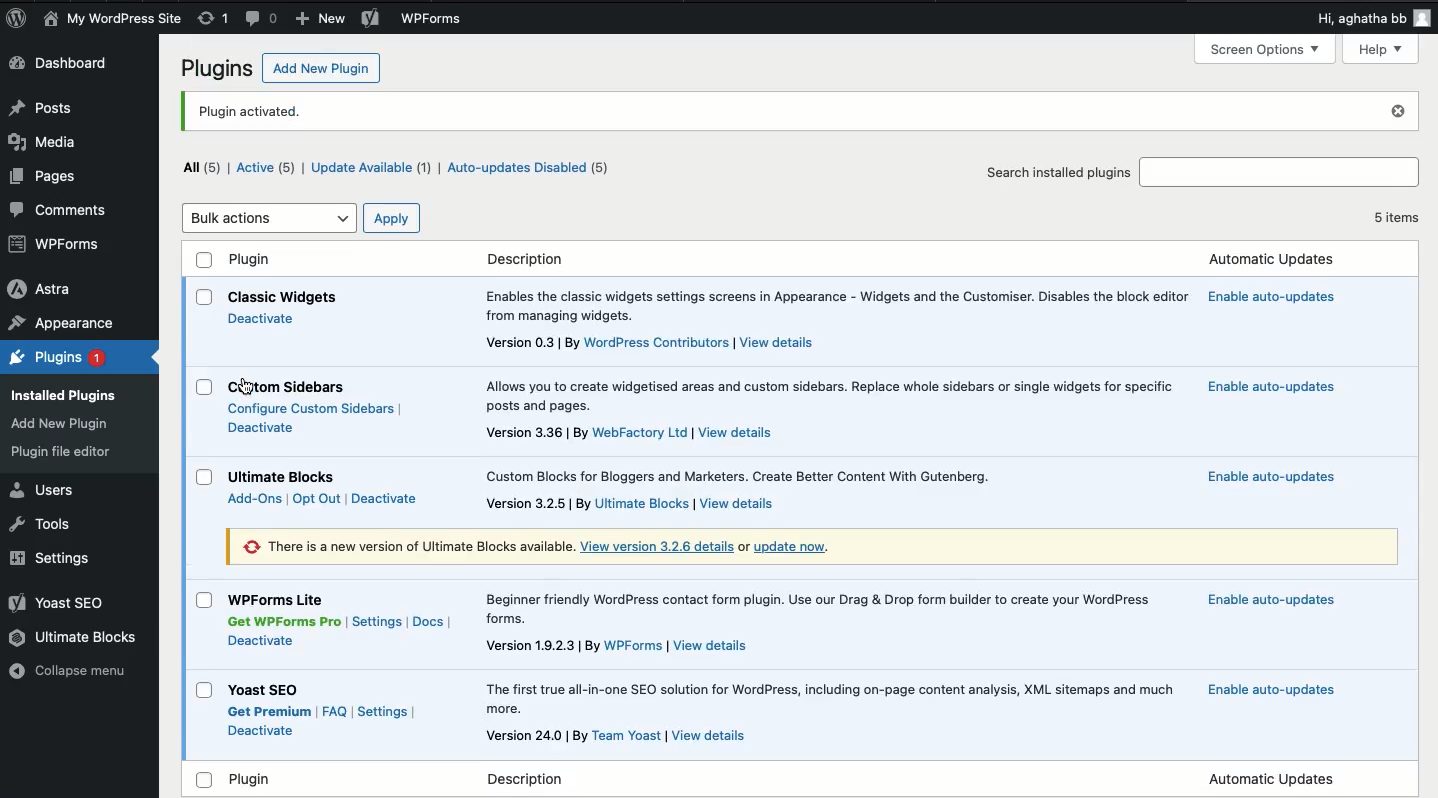  What do you see at coordinates (270, 218) in the screenshot?
I see `Bulk actions` at bounding box center [270, 218].